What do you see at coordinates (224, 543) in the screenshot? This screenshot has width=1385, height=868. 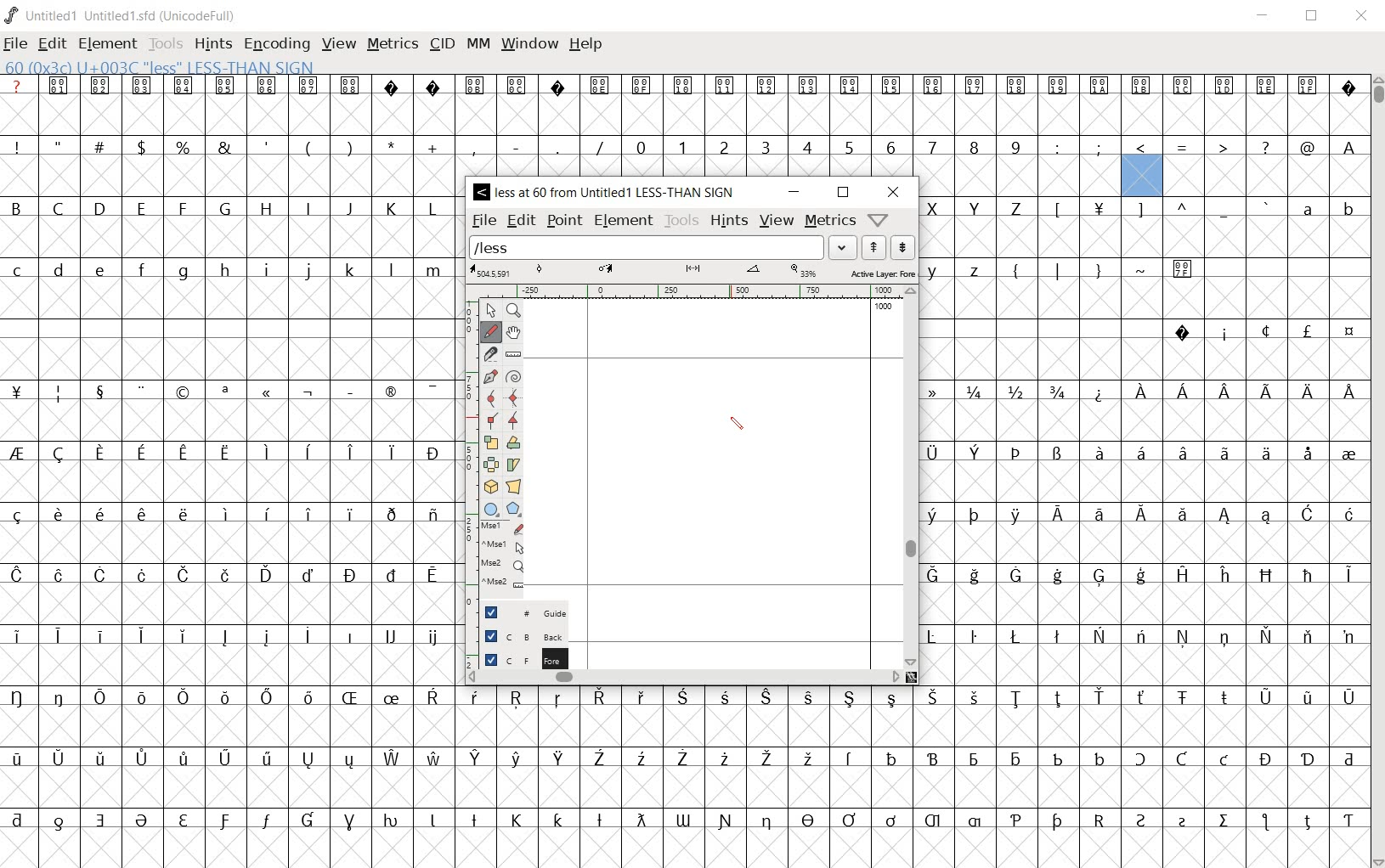 I see `empty cells` at bounding box center [224, 543].